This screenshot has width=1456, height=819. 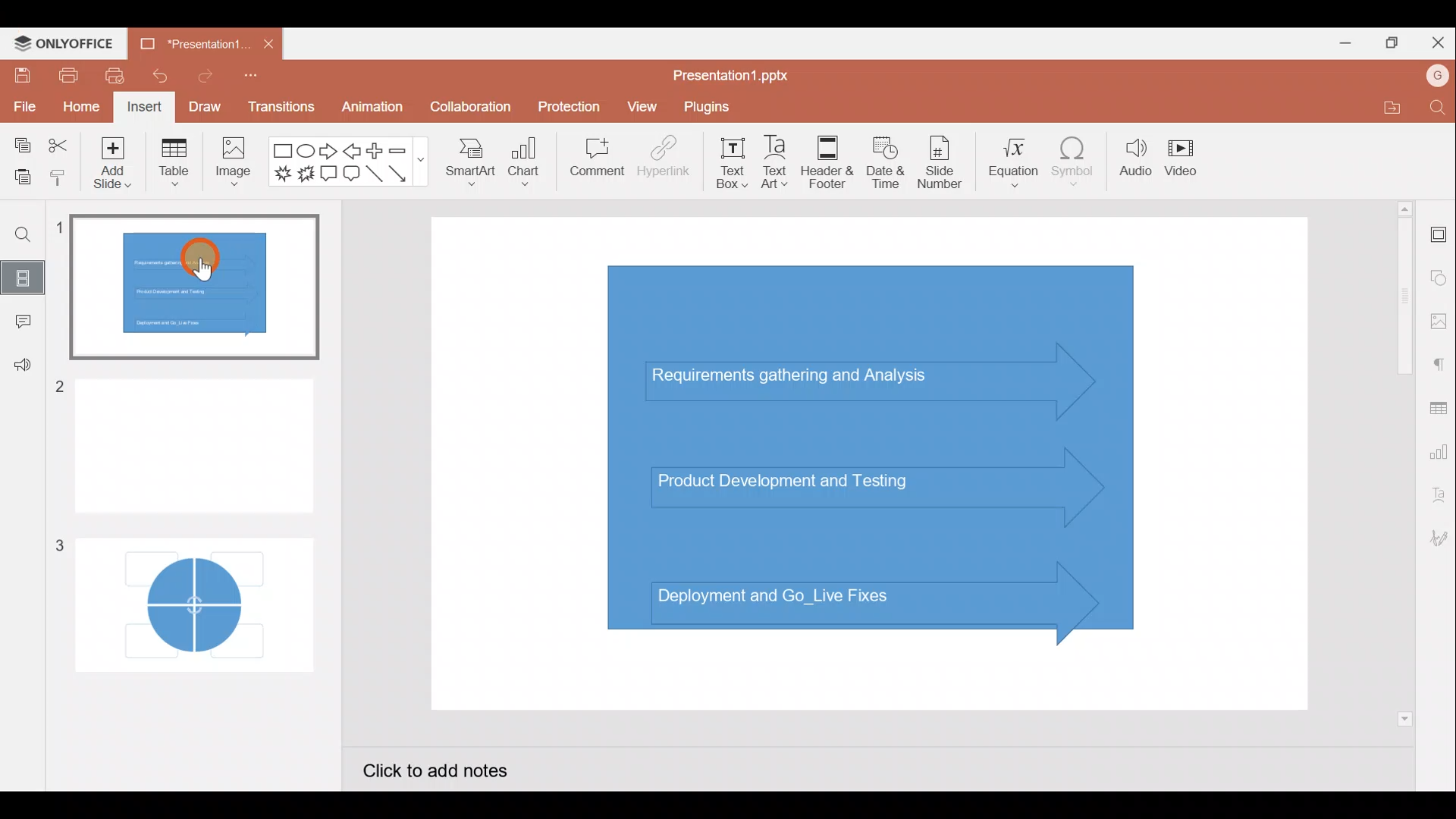 What do you see at coordinates (279, 106) in the screenshot?
I see `Transitions` at bounding box center [279, 106].